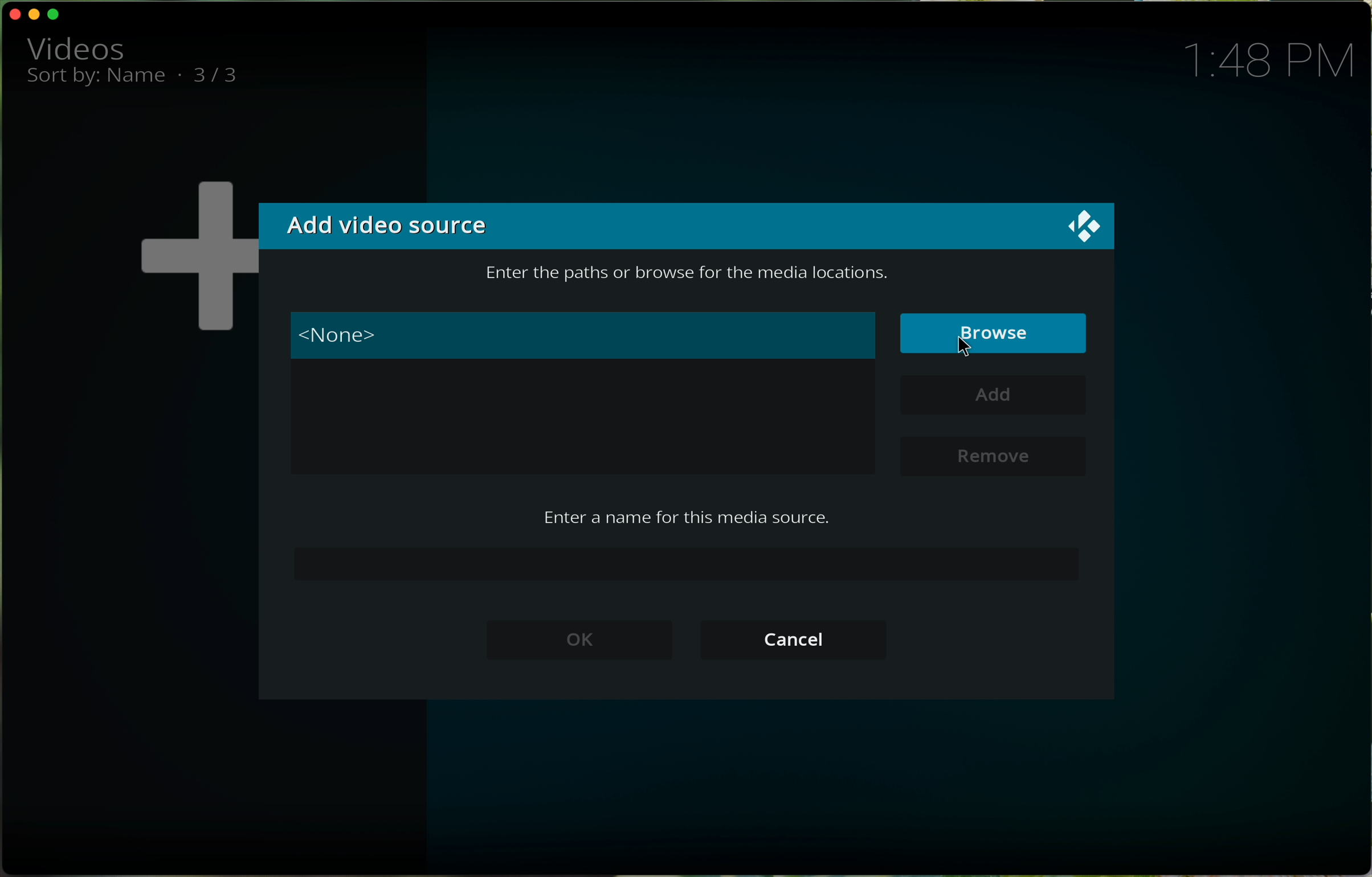  I want to click on cancel button, so click(795, 640).